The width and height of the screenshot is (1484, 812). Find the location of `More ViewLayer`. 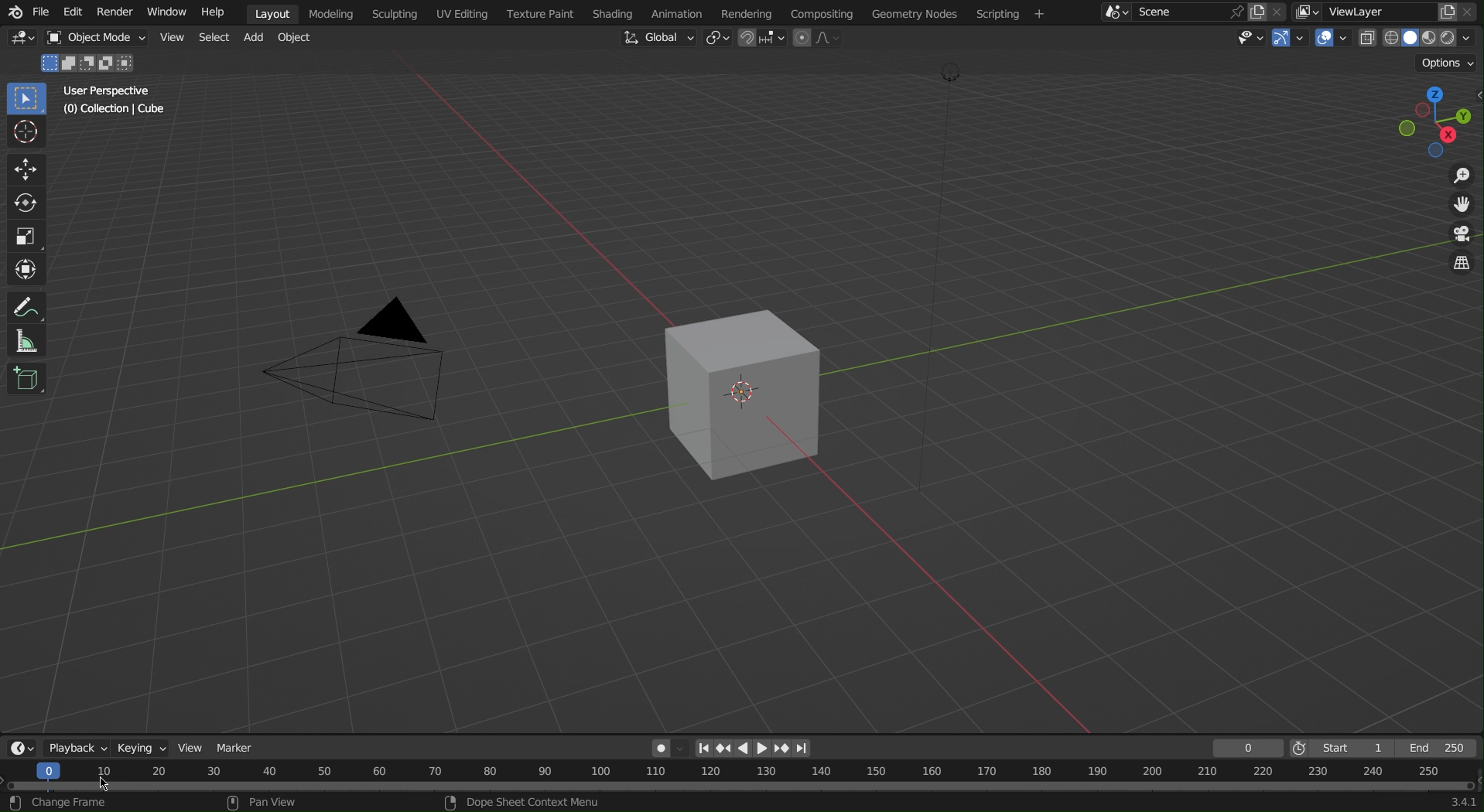

More ViewLayer is located at coordinates (1309, 11).